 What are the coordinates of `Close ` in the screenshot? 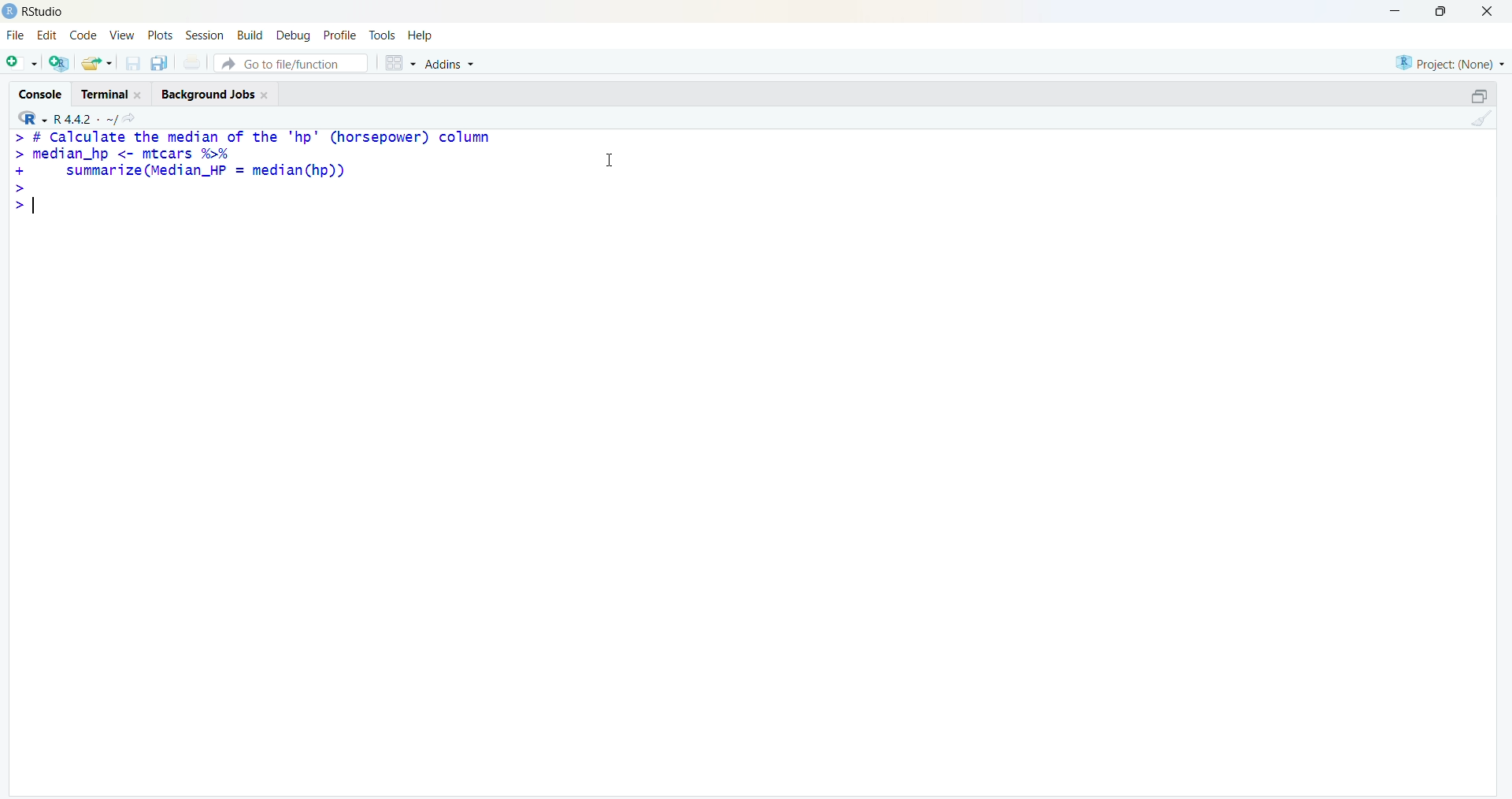 It's located at (266, 95).